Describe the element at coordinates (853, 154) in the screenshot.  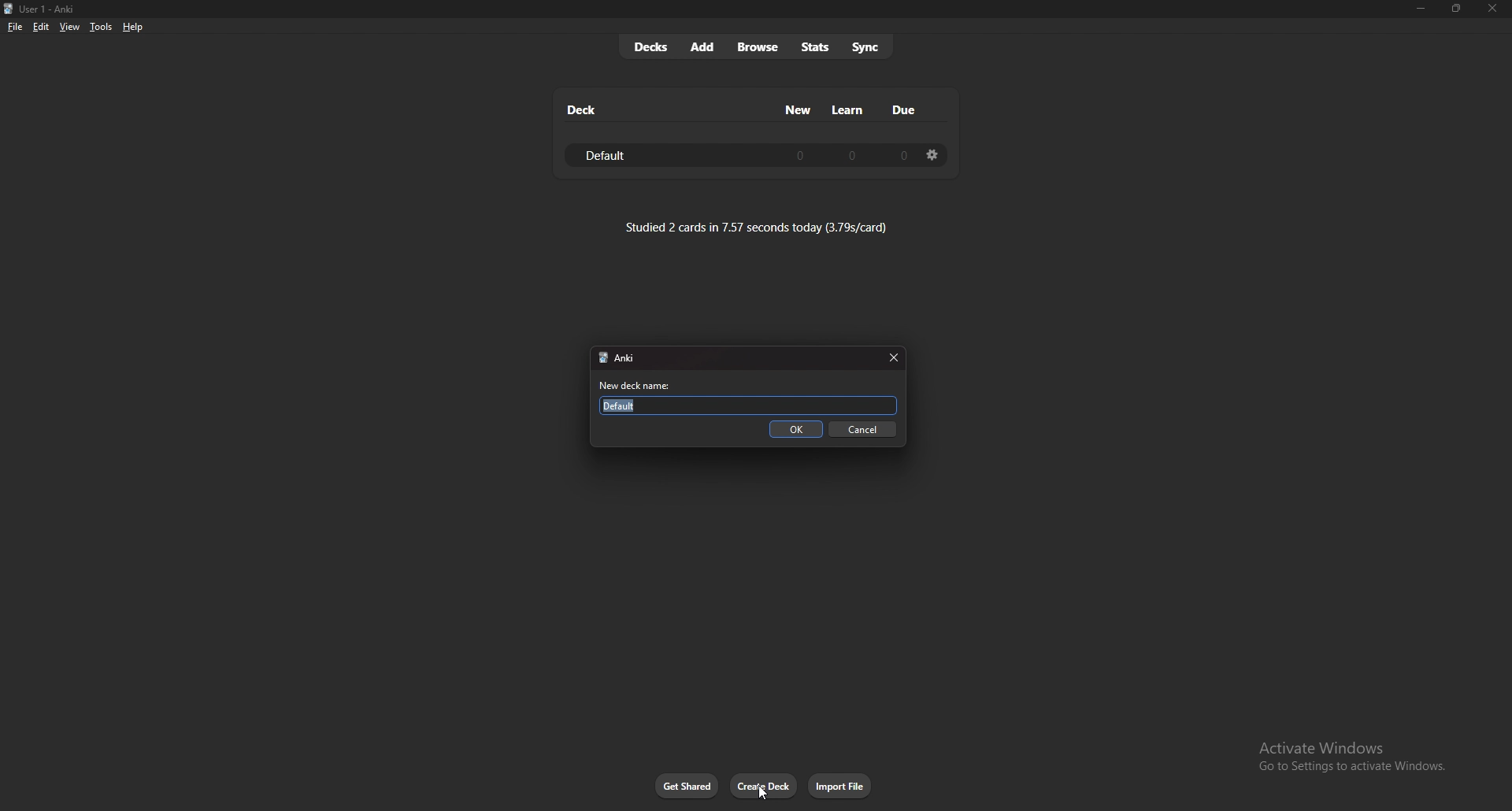
I see `0` at that location.